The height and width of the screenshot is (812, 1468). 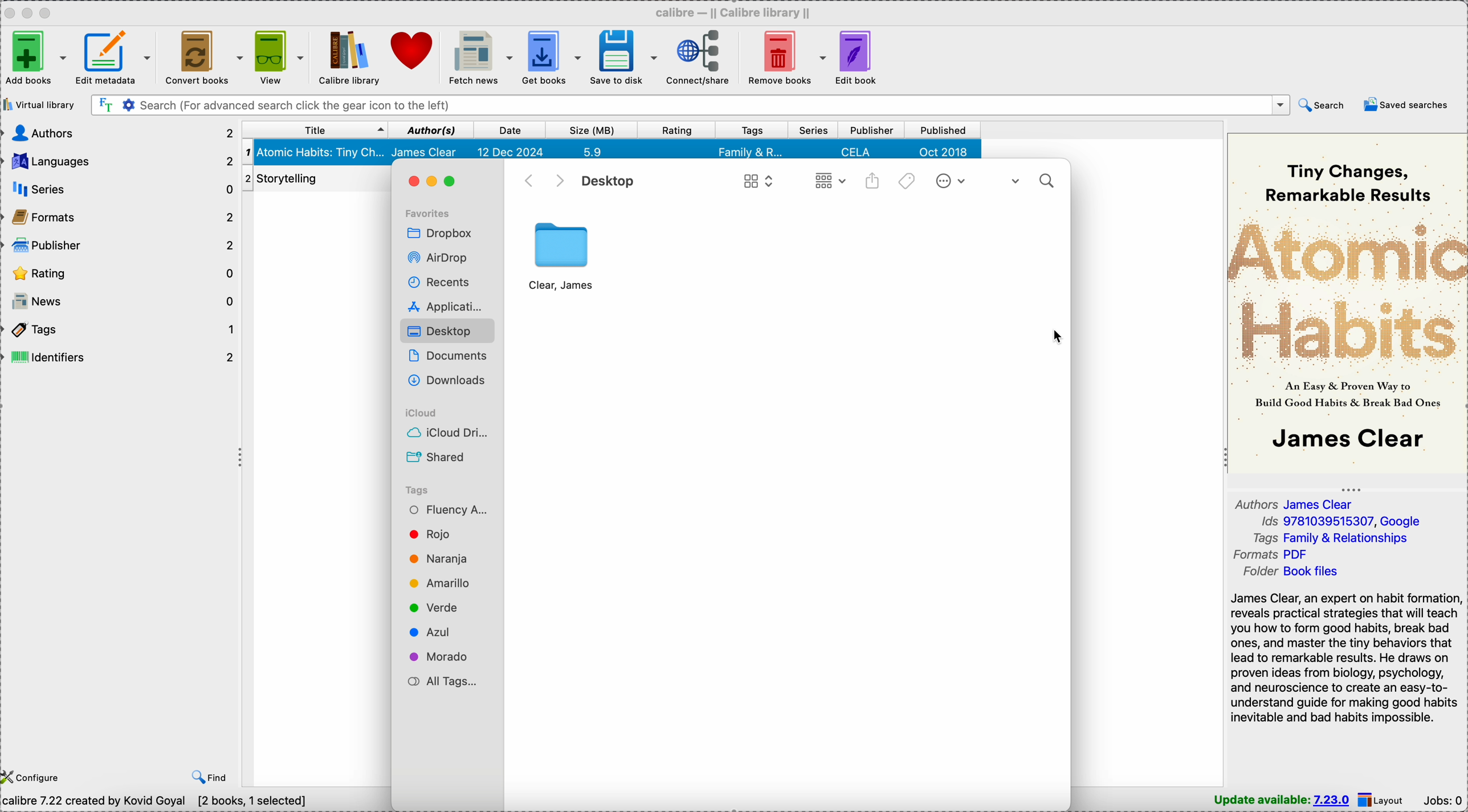 What do you see at coordinates (437, 457) in the screenshot?
I see `Shared` at bounding box center [437, 457].